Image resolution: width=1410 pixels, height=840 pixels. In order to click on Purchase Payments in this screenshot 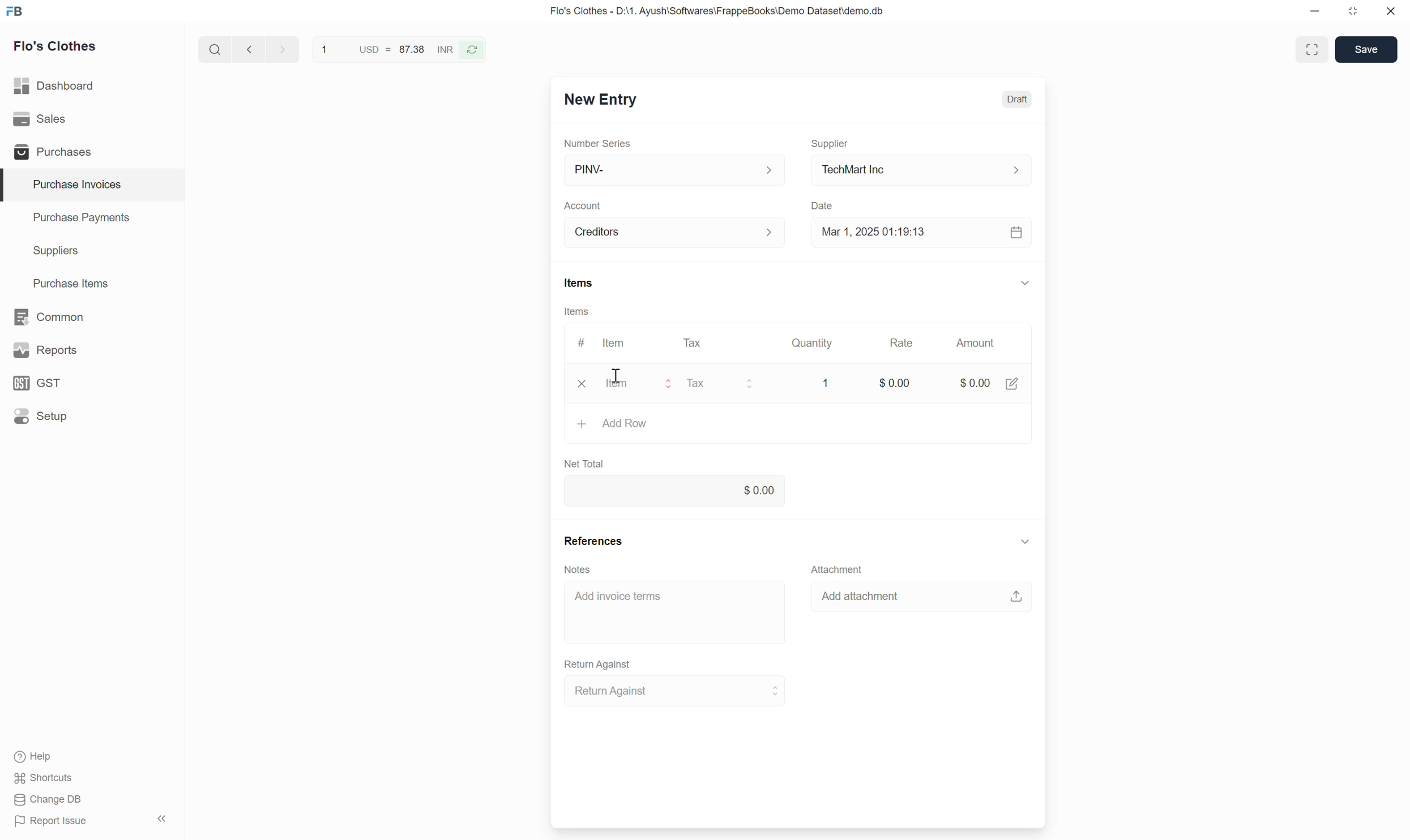, I will do `click(80, 220)`.